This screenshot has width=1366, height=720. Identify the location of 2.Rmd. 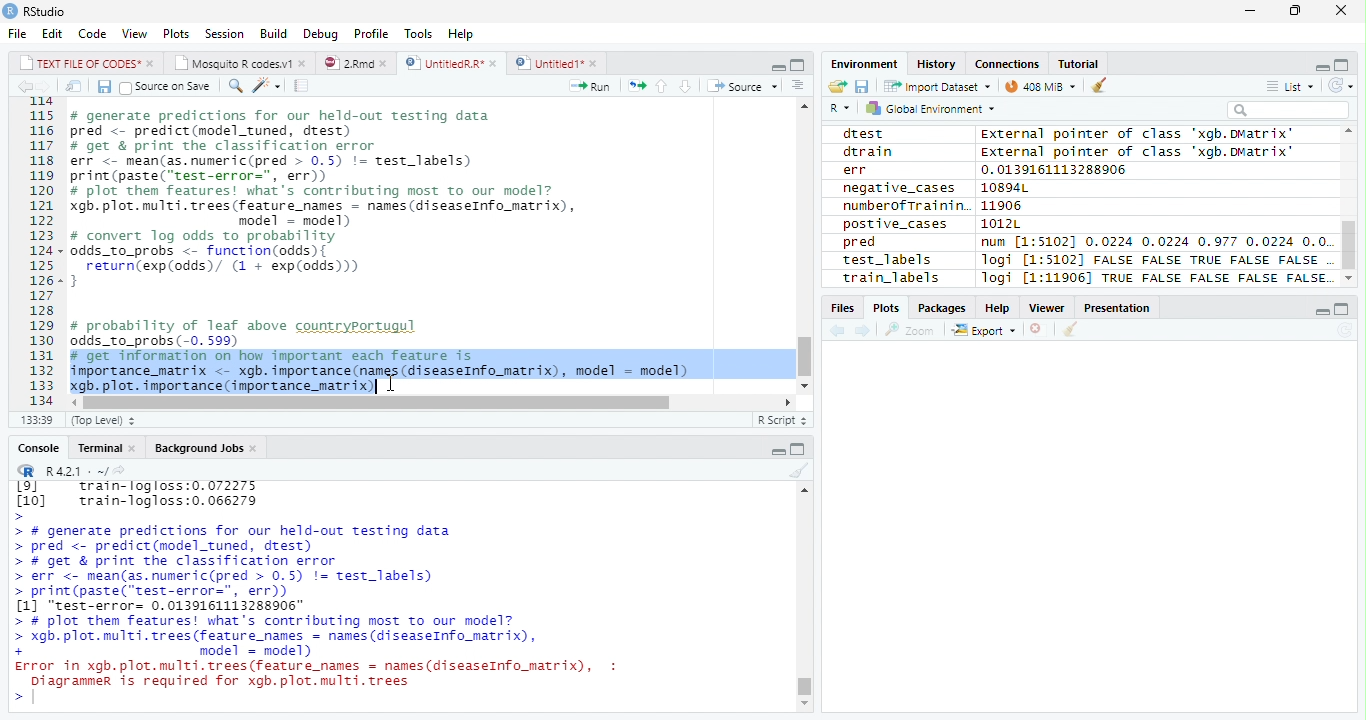
(356, 63).